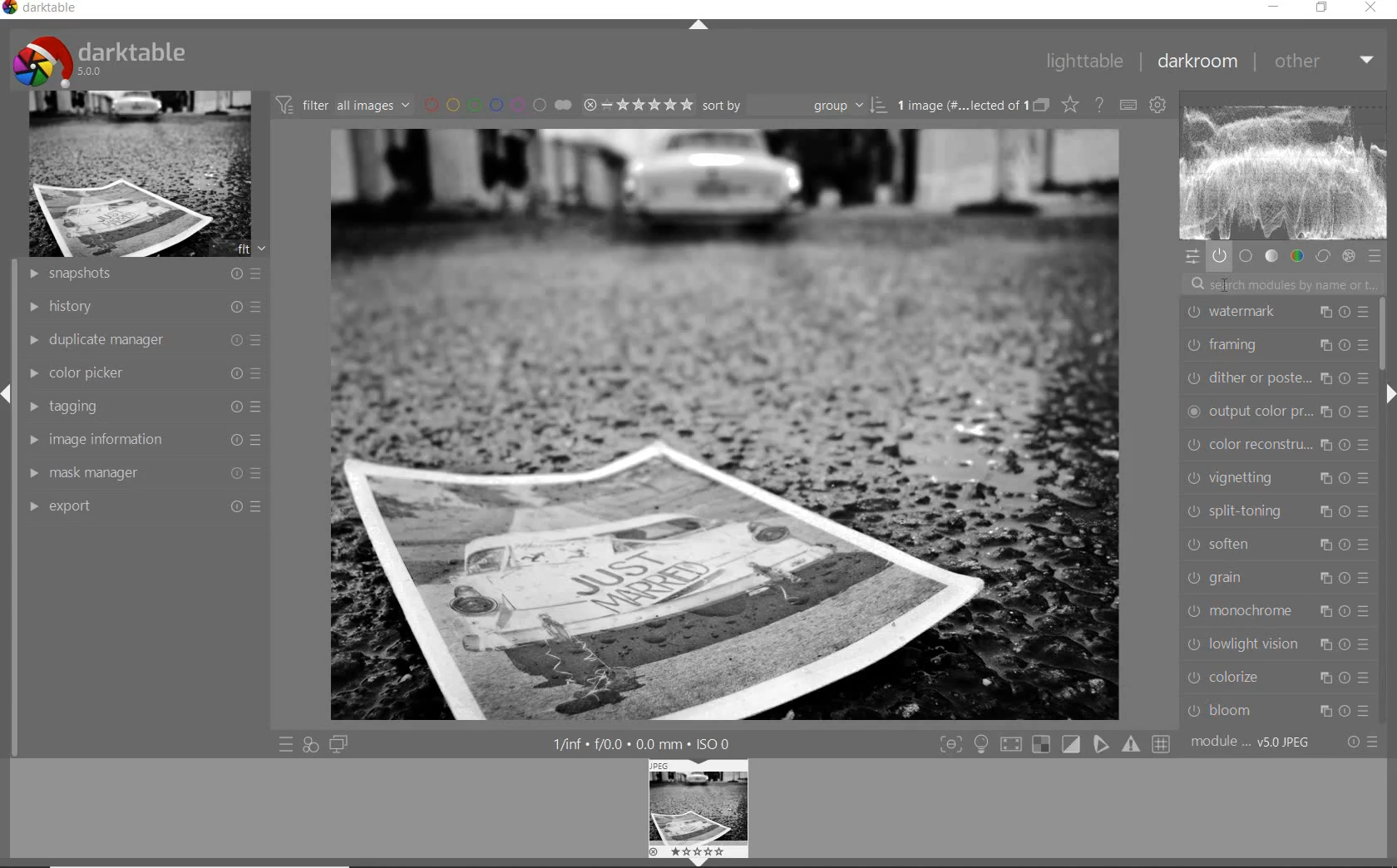  I want to click on expand/collapse, so click(1389, 394).